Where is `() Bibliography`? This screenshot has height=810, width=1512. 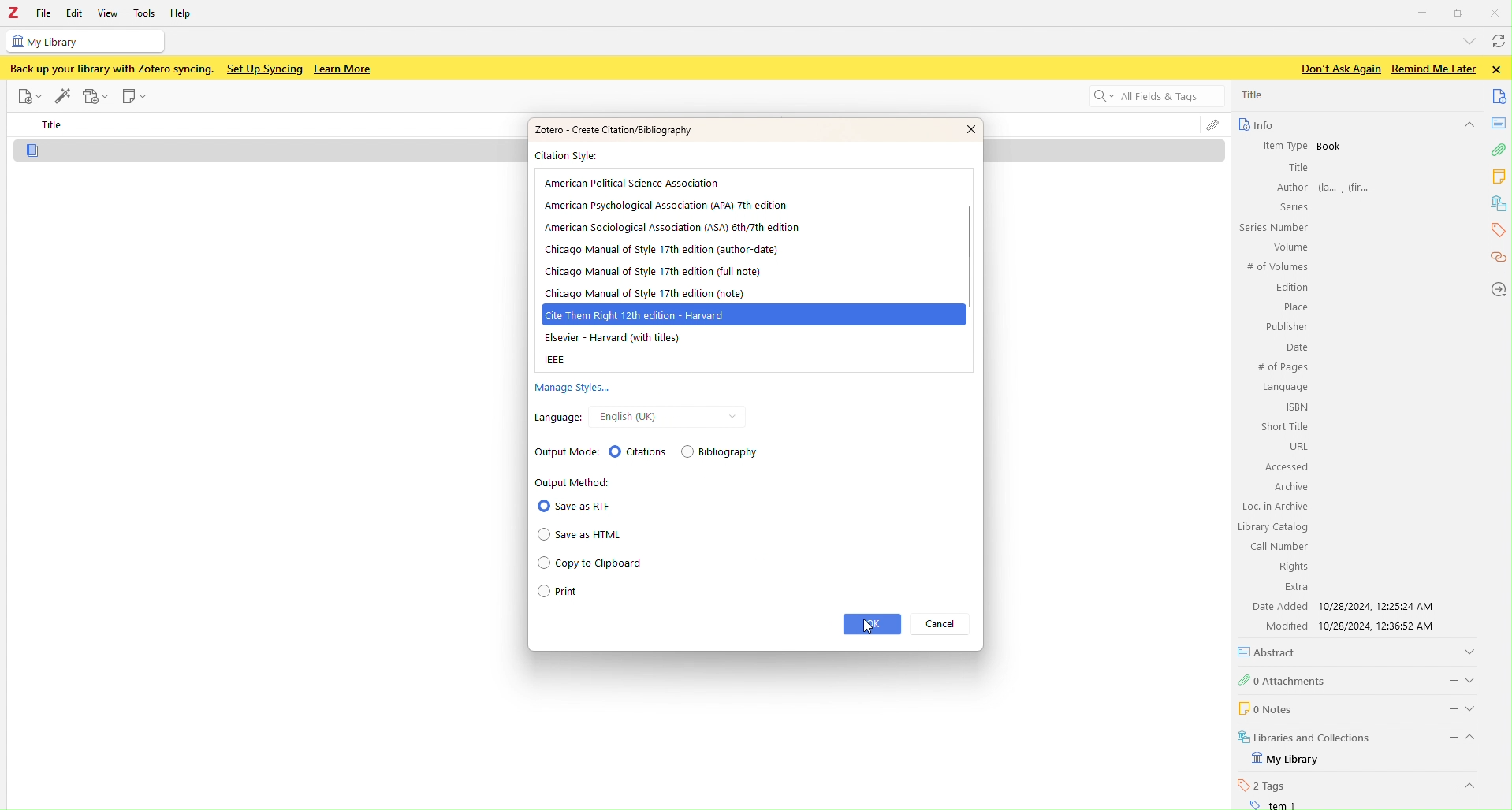 () Bibliography is located at coordinates (723, 453).